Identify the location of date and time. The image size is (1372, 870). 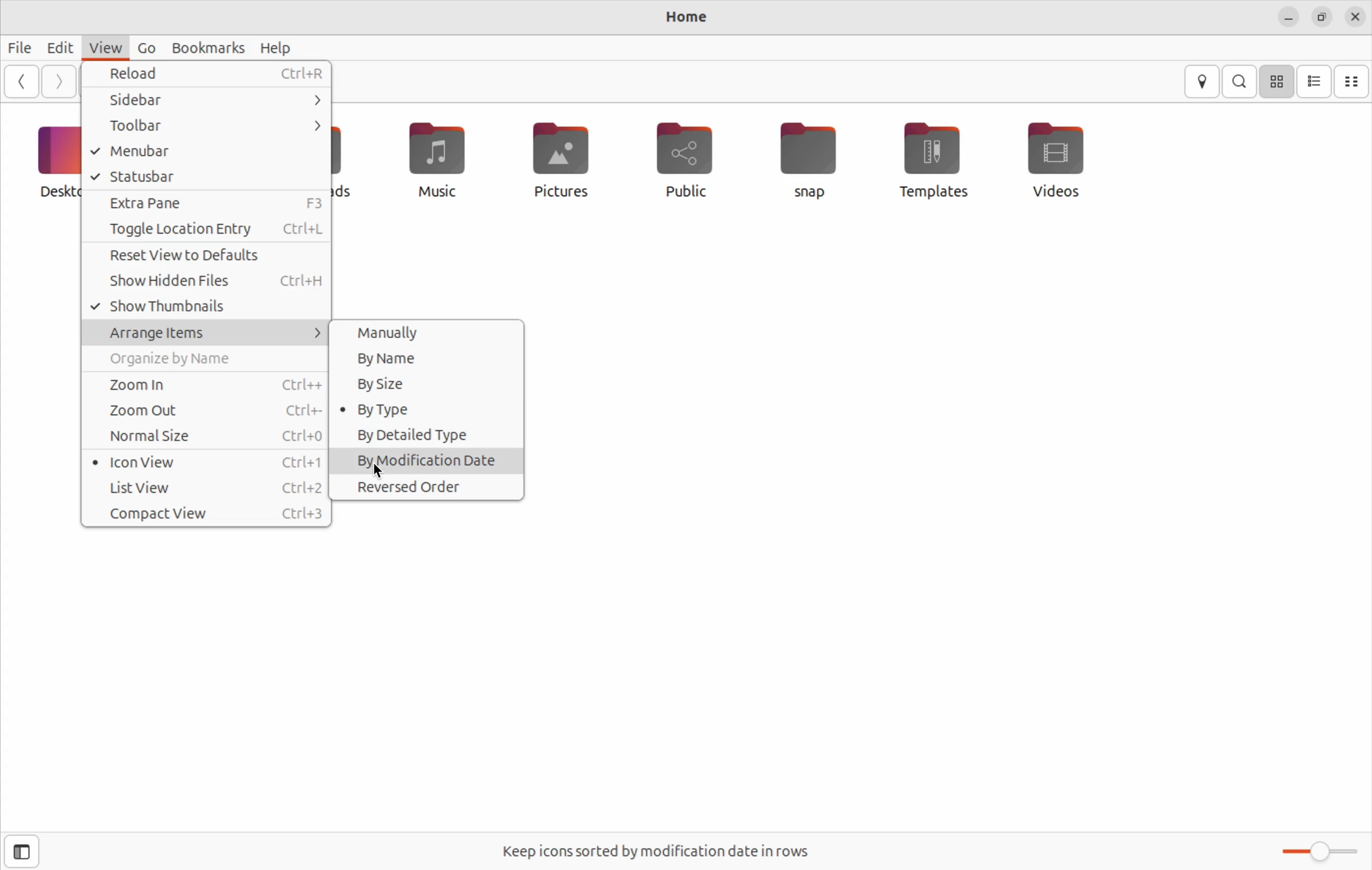
(1355, 16).